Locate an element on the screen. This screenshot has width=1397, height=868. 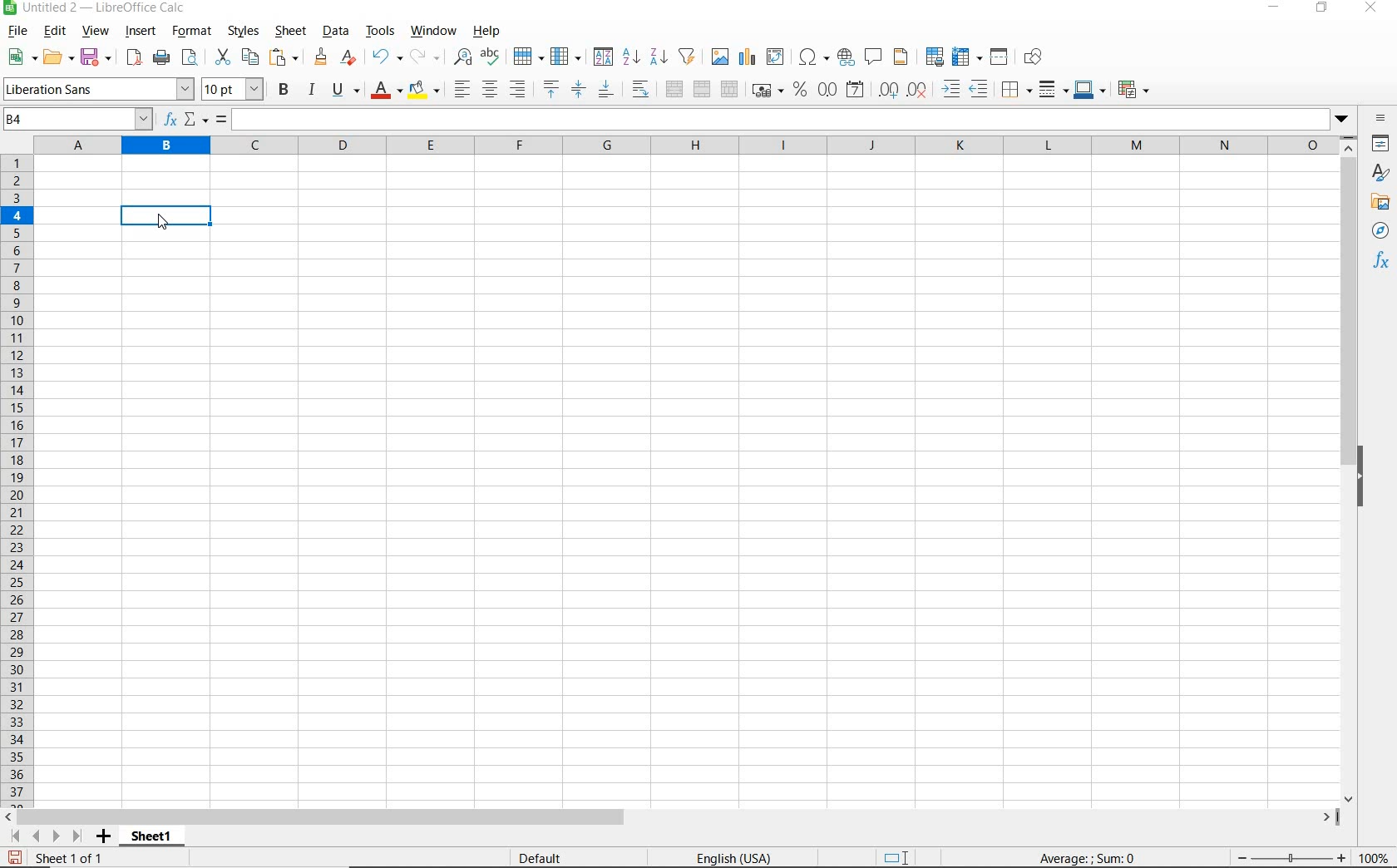
sidebar settings is located at coordinates (1381, 118).